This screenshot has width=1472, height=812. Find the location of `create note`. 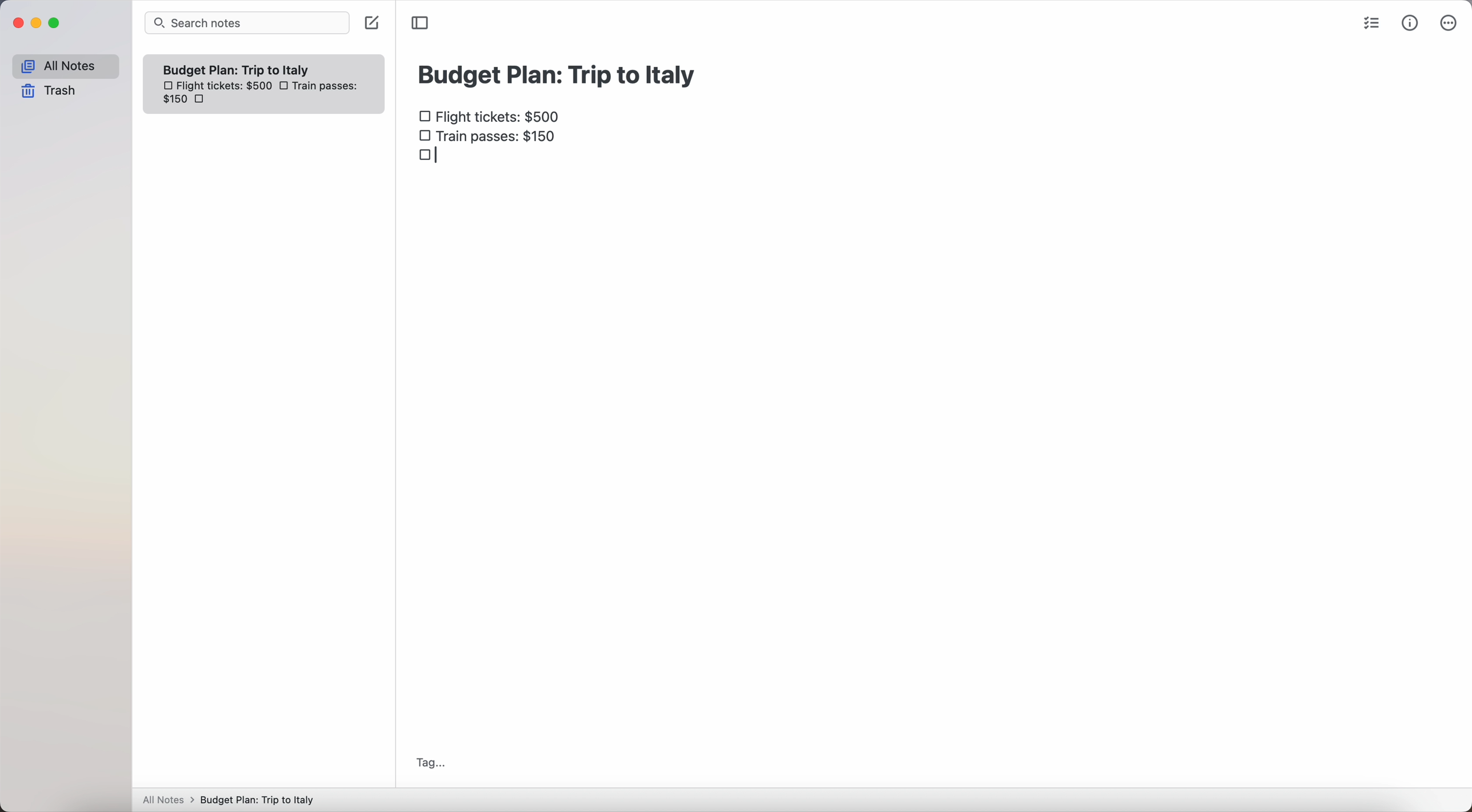

create note is located at coordinates (371, 24).